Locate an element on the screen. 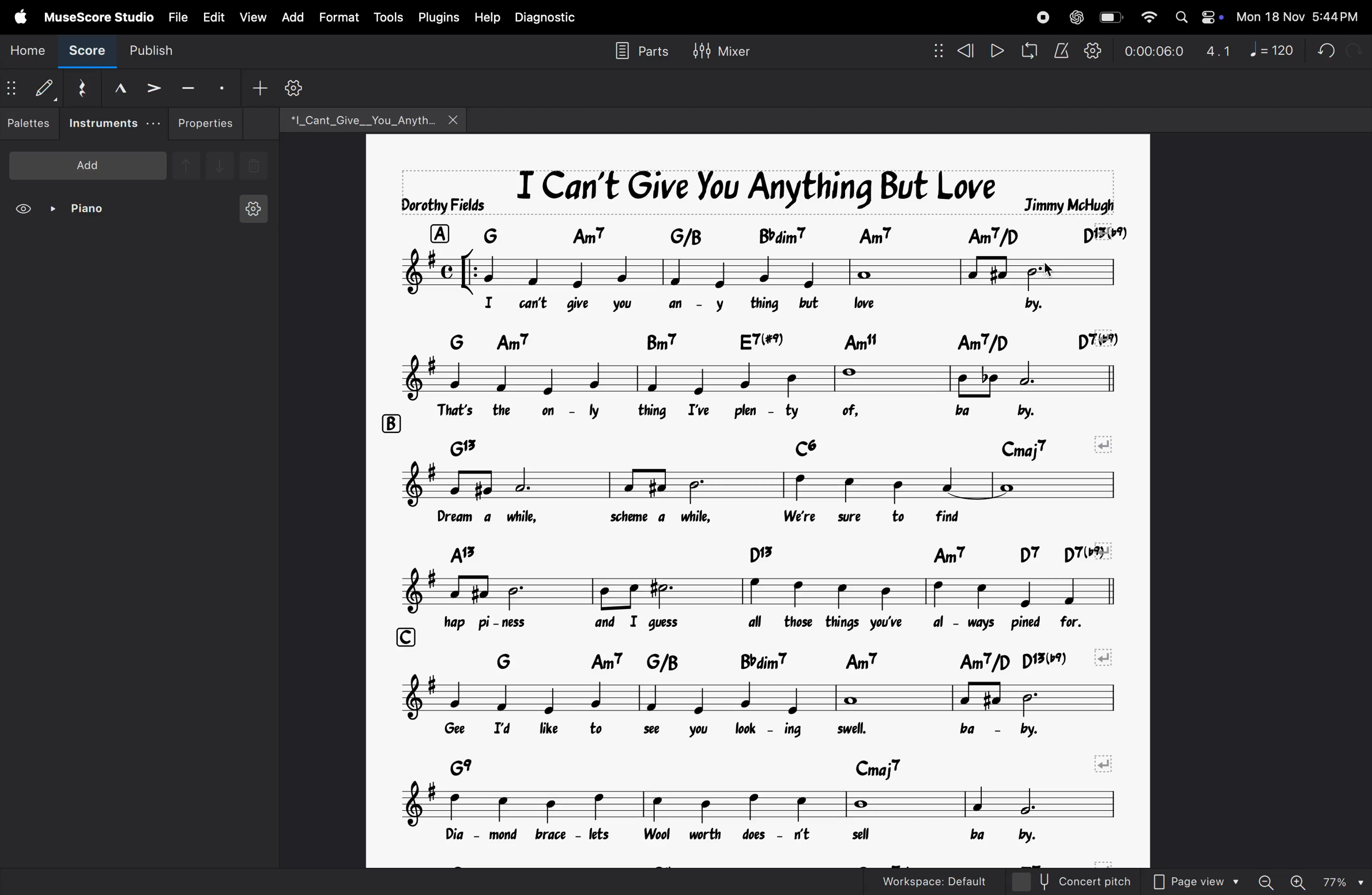  marcato is located at coordinates (123, 88).